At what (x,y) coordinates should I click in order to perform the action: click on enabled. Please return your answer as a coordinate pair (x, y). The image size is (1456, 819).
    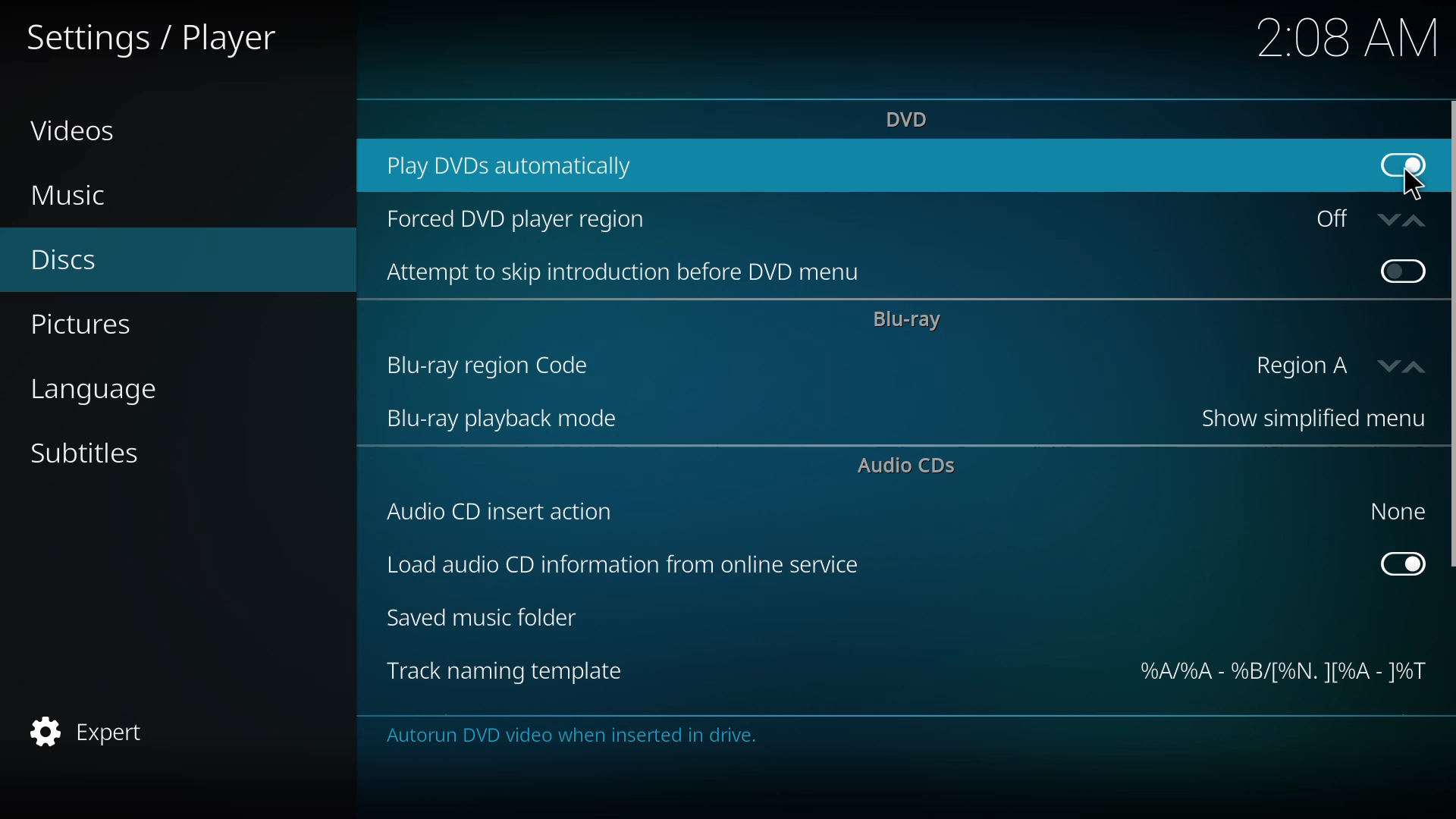
    Looking at the image, I should click on (1402, 162).